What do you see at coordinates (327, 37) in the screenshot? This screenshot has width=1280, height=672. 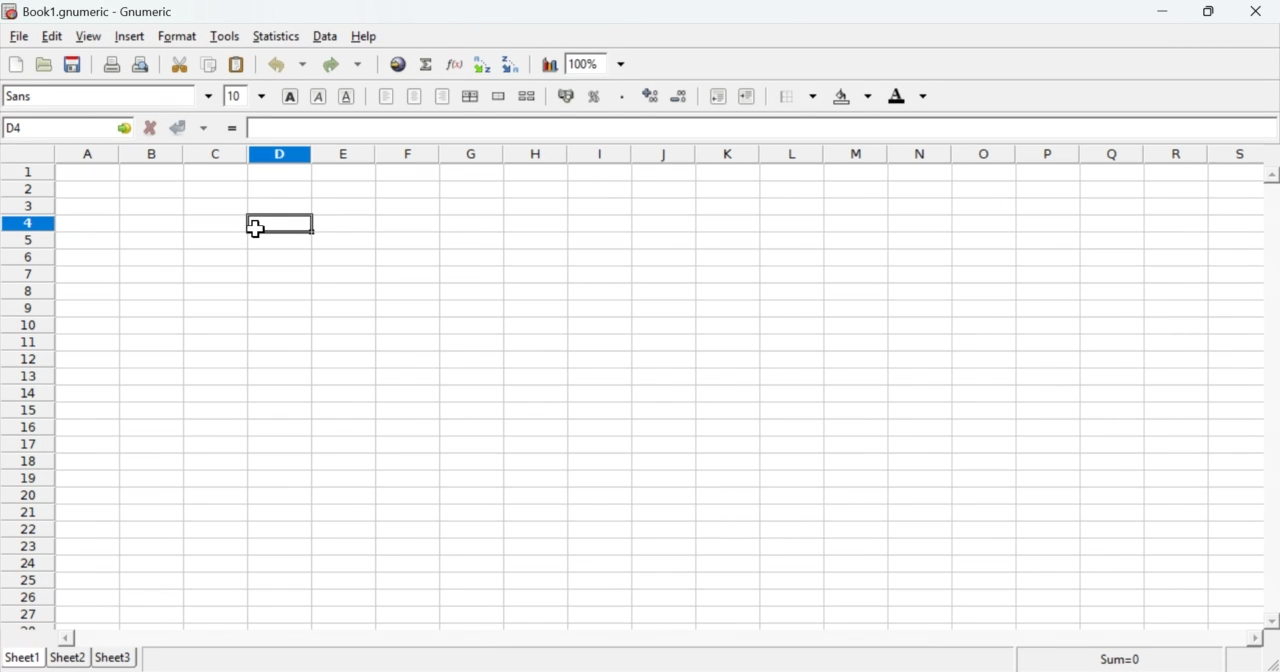 I see `Data` at bounding box center [327, 37].